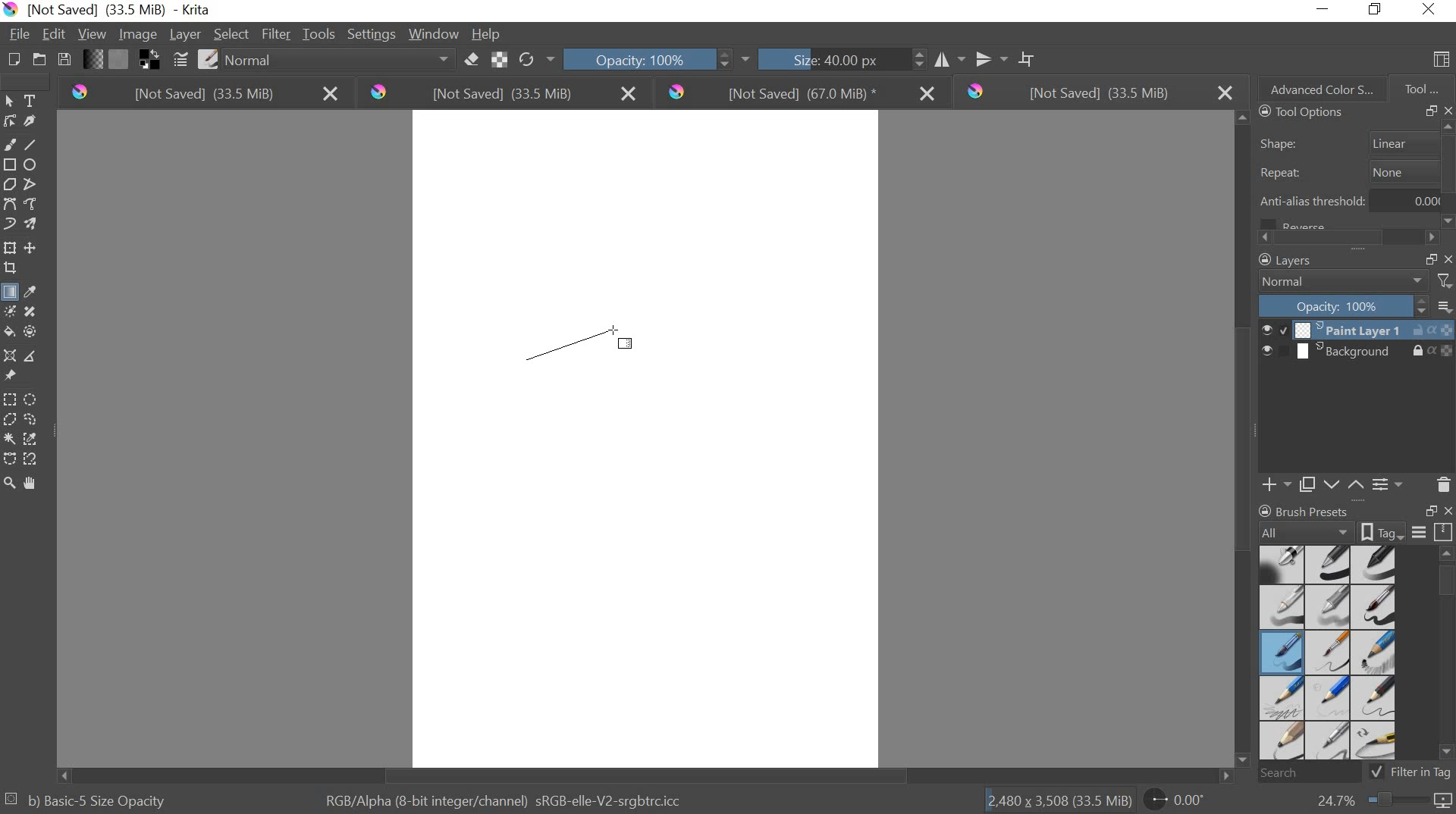 This screenshot has width=1456, height=814. I want to click on BRUSH PROPERTIES, so click(1354, 532).